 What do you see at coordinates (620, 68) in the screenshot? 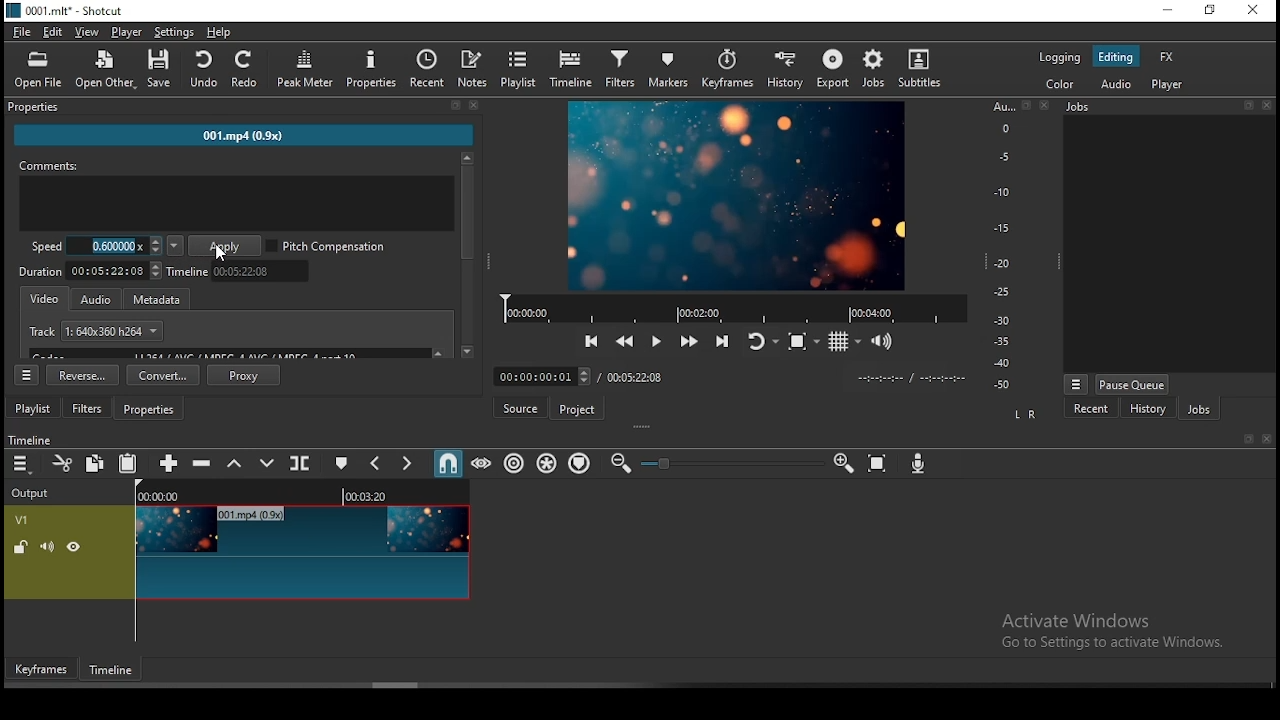
I see `filters` at bounding box center [620, 68].